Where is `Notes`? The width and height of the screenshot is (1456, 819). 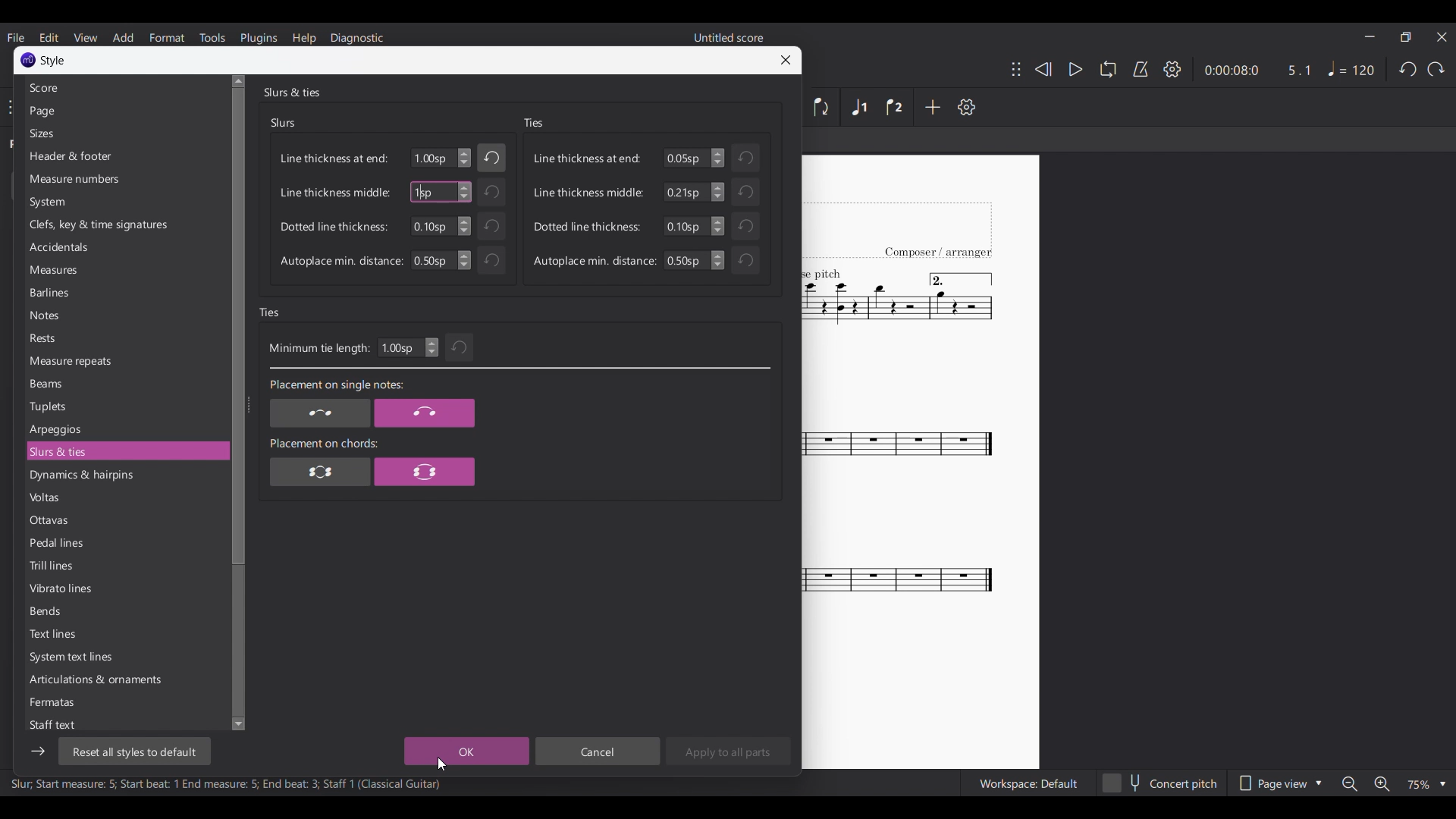
Notes is located at coordinates (125, 315).